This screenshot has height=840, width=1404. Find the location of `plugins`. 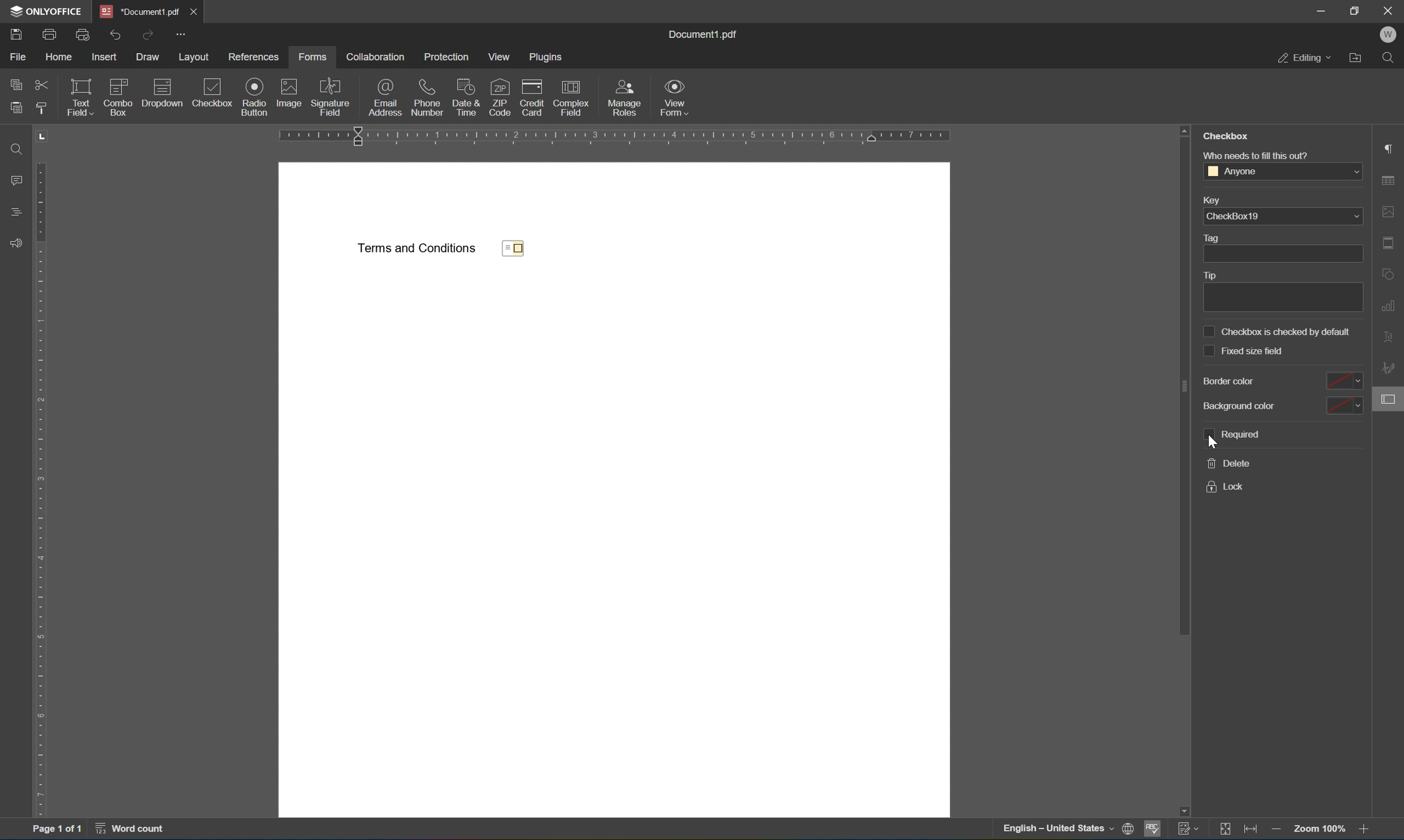

plugins is located at coordinates (547, 58).